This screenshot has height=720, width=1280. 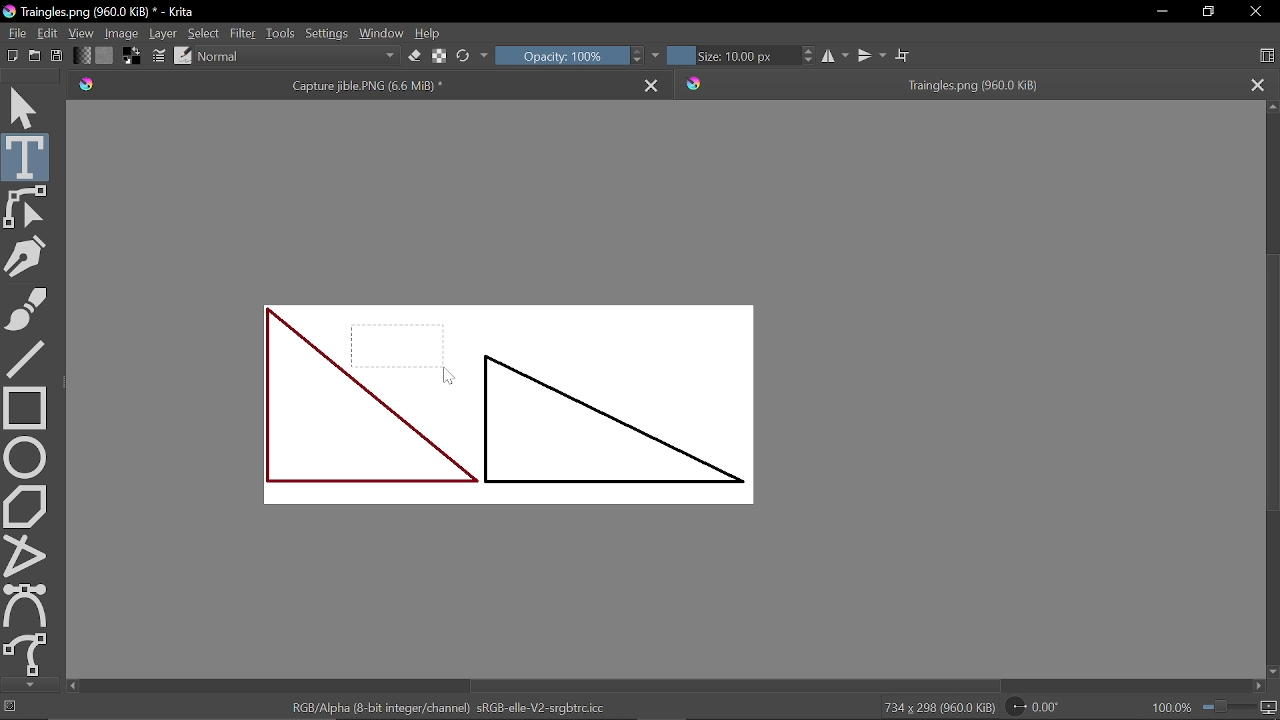 I want to click on Restore down, so click(x=1211, y=13).